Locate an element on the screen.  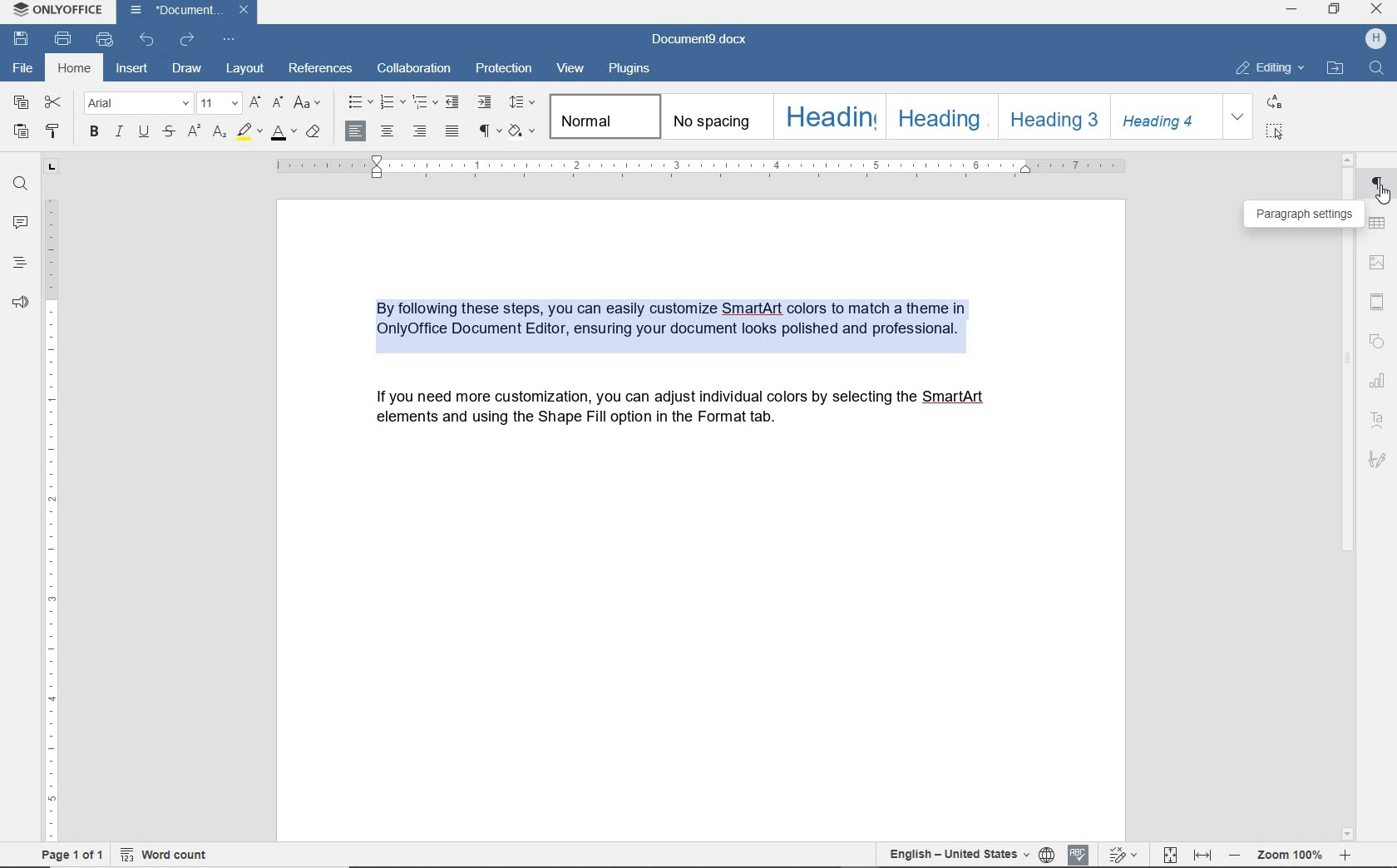
restore down is located at coordinates (1335, 10).